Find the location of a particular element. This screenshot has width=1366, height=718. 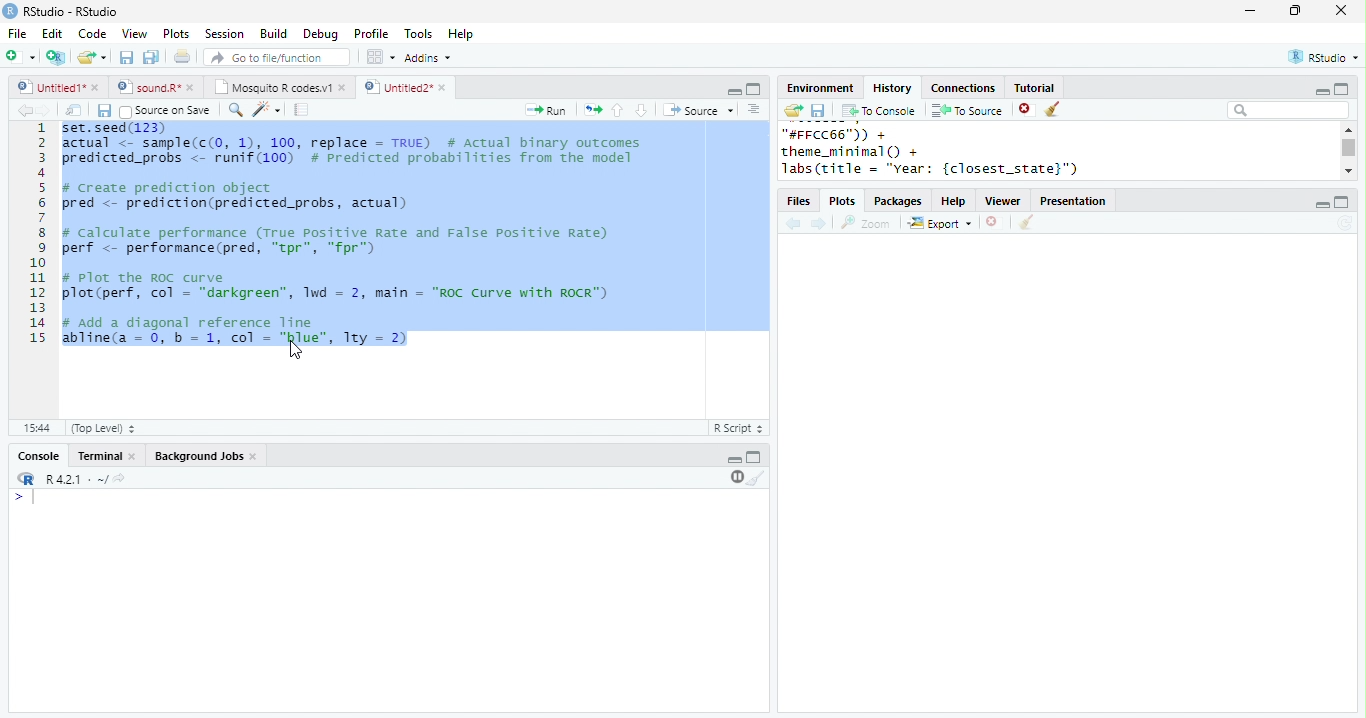

Tutorial is located at coordinates (1033, 87).